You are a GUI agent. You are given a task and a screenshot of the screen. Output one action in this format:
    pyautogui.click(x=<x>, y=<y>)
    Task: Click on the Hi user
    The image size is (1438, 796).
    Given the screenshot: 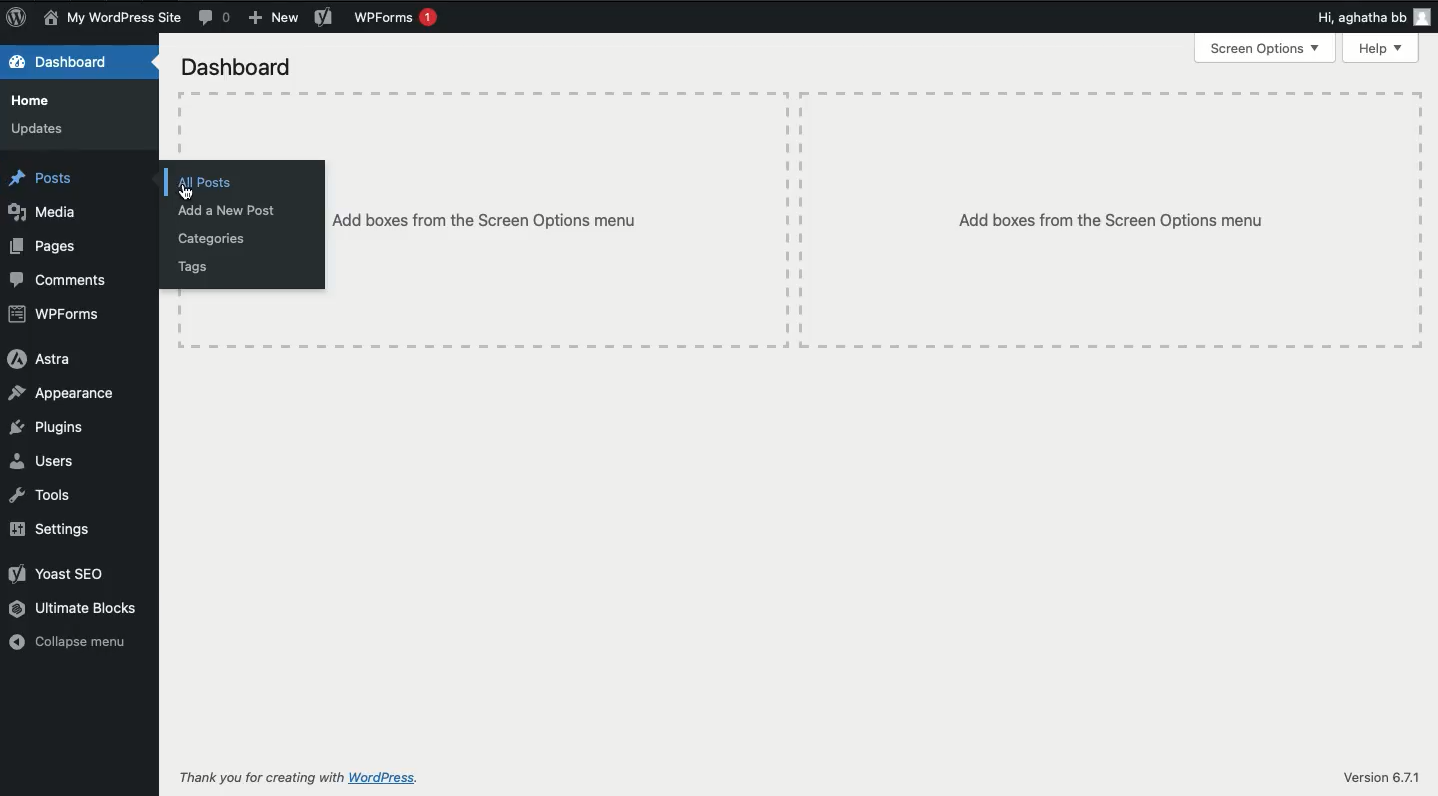 What is the action you would take?
    pyautogui.click(x=1375, y=18)
    